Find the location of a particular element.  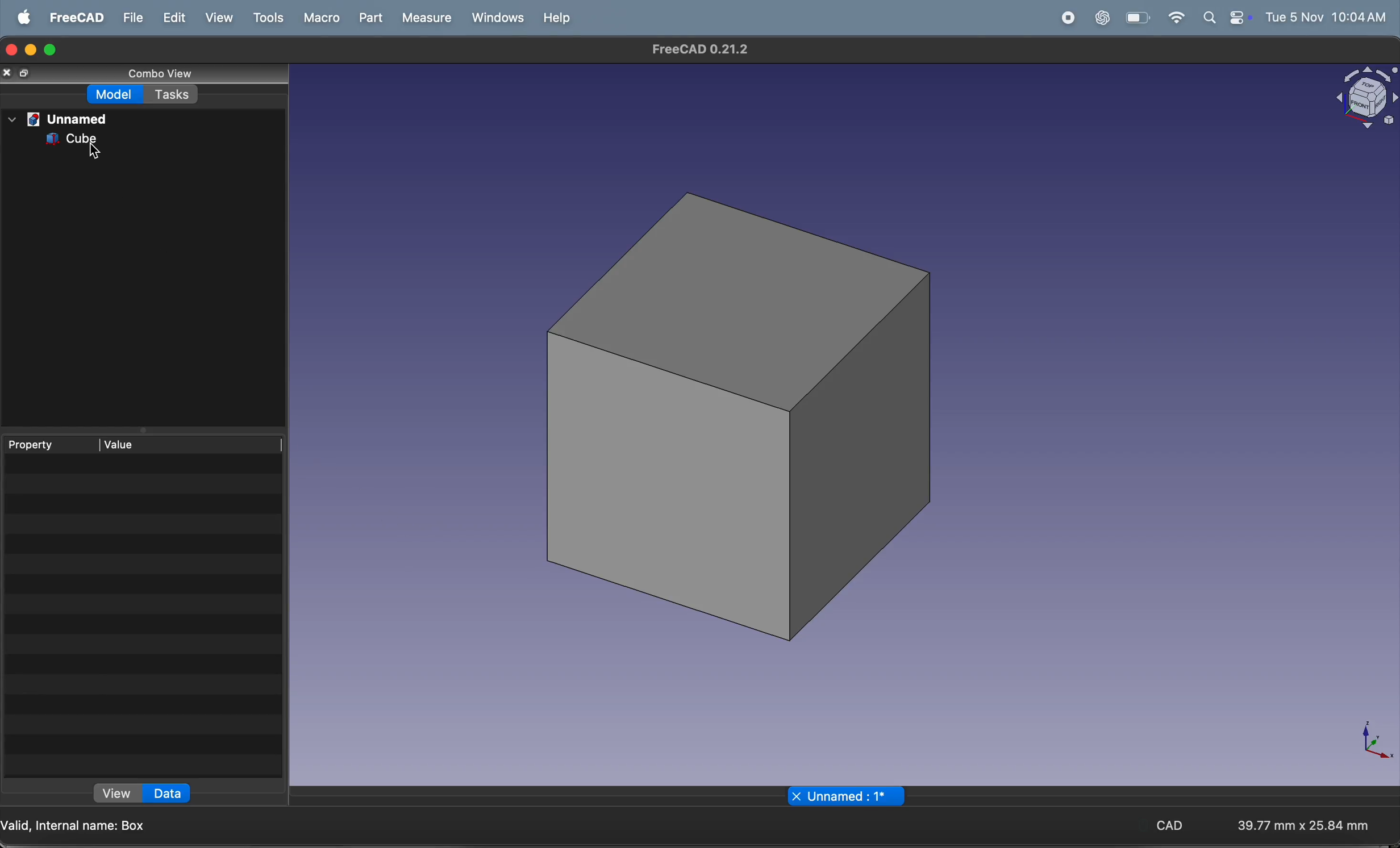

marco is located at coordinates (317, 16).